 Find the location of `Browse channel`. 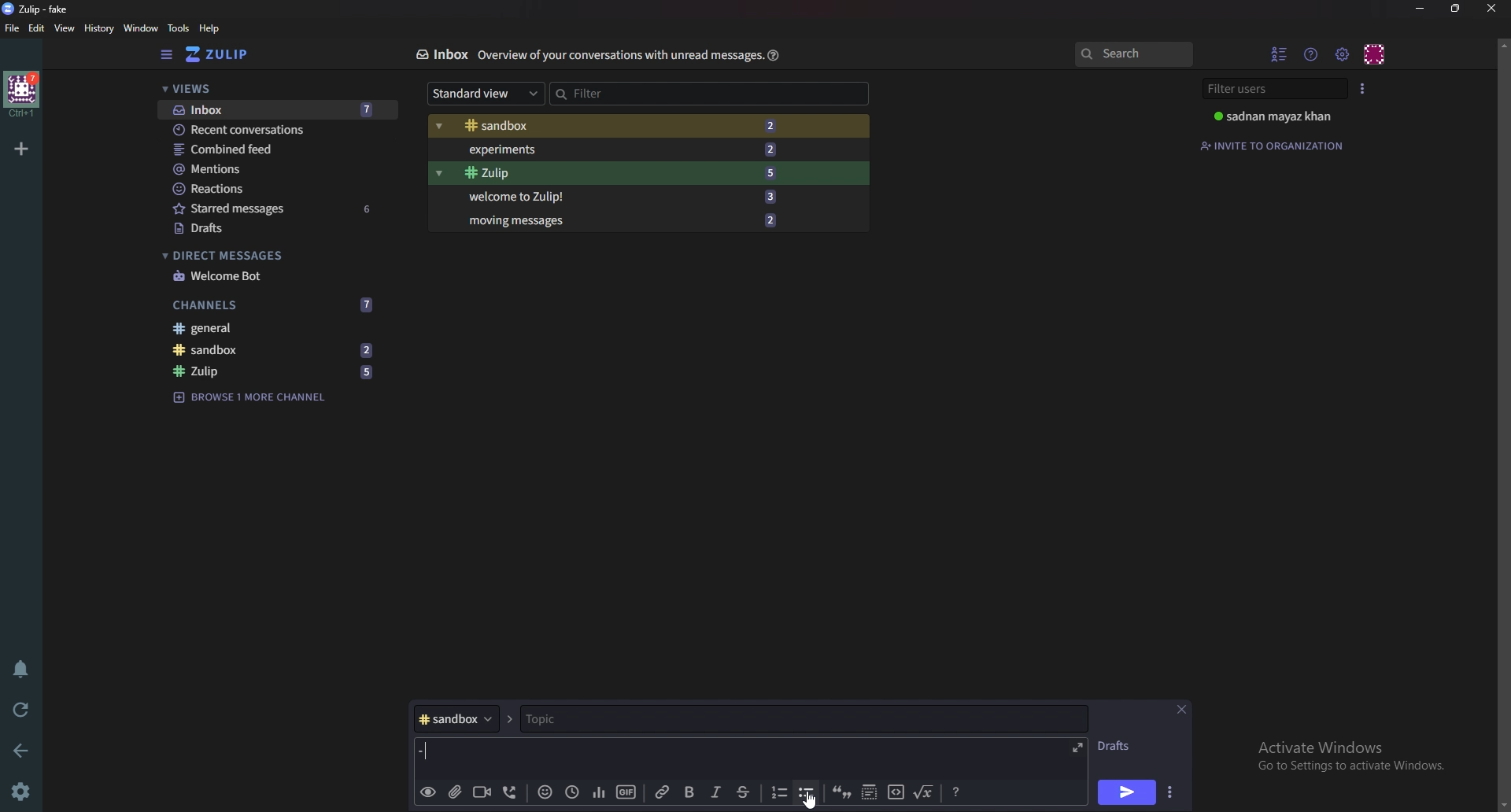

Browse channel is located at coordinates (250, 396).